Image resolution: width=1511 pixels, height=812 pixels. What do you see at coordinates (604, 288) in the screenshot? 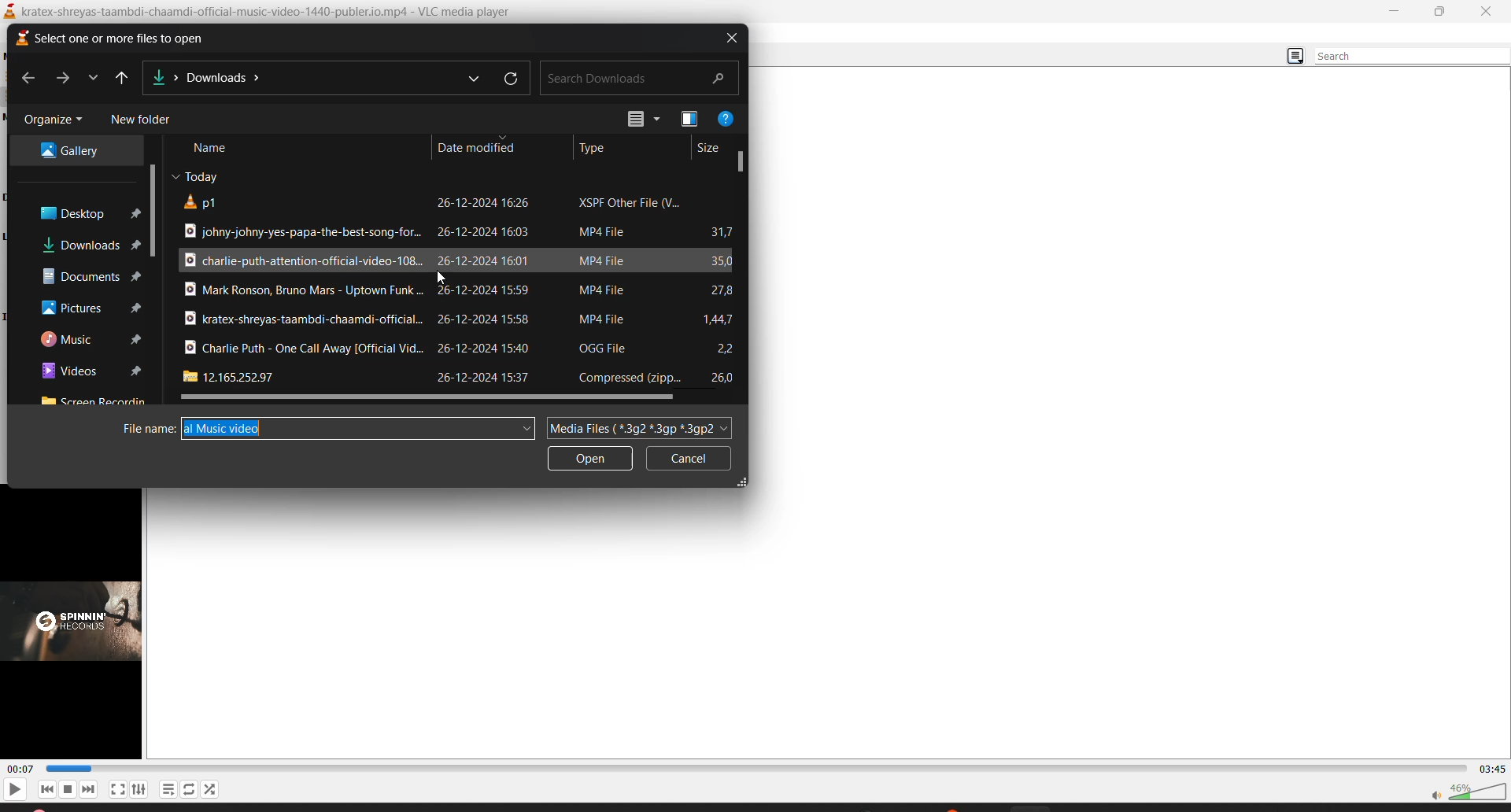
I see `file type` at bounding box center [604, 288].